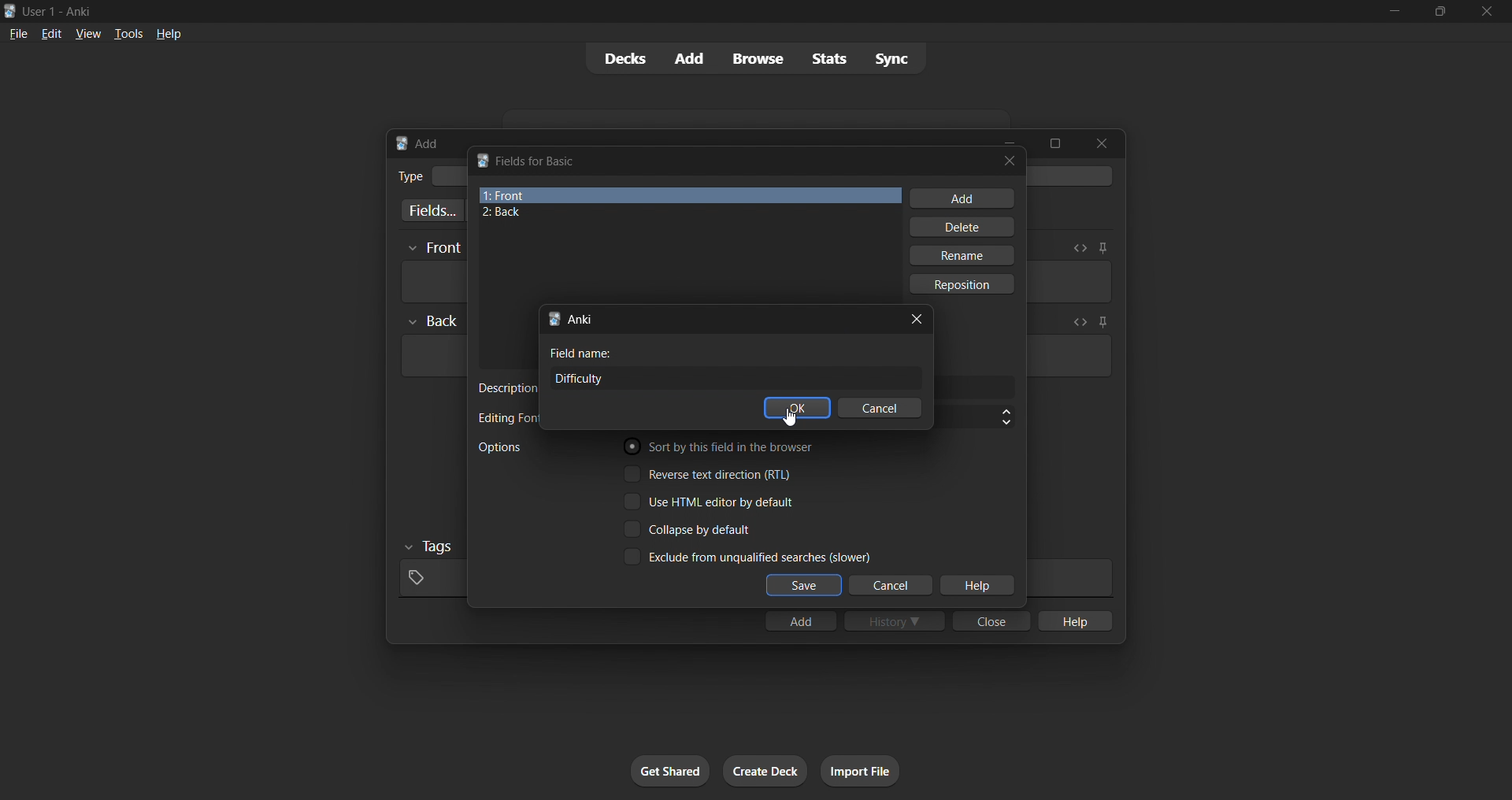  What do you see at coordinates (409, 176) in the screenshot?
I see `Text` at bounding box center [409, 176].